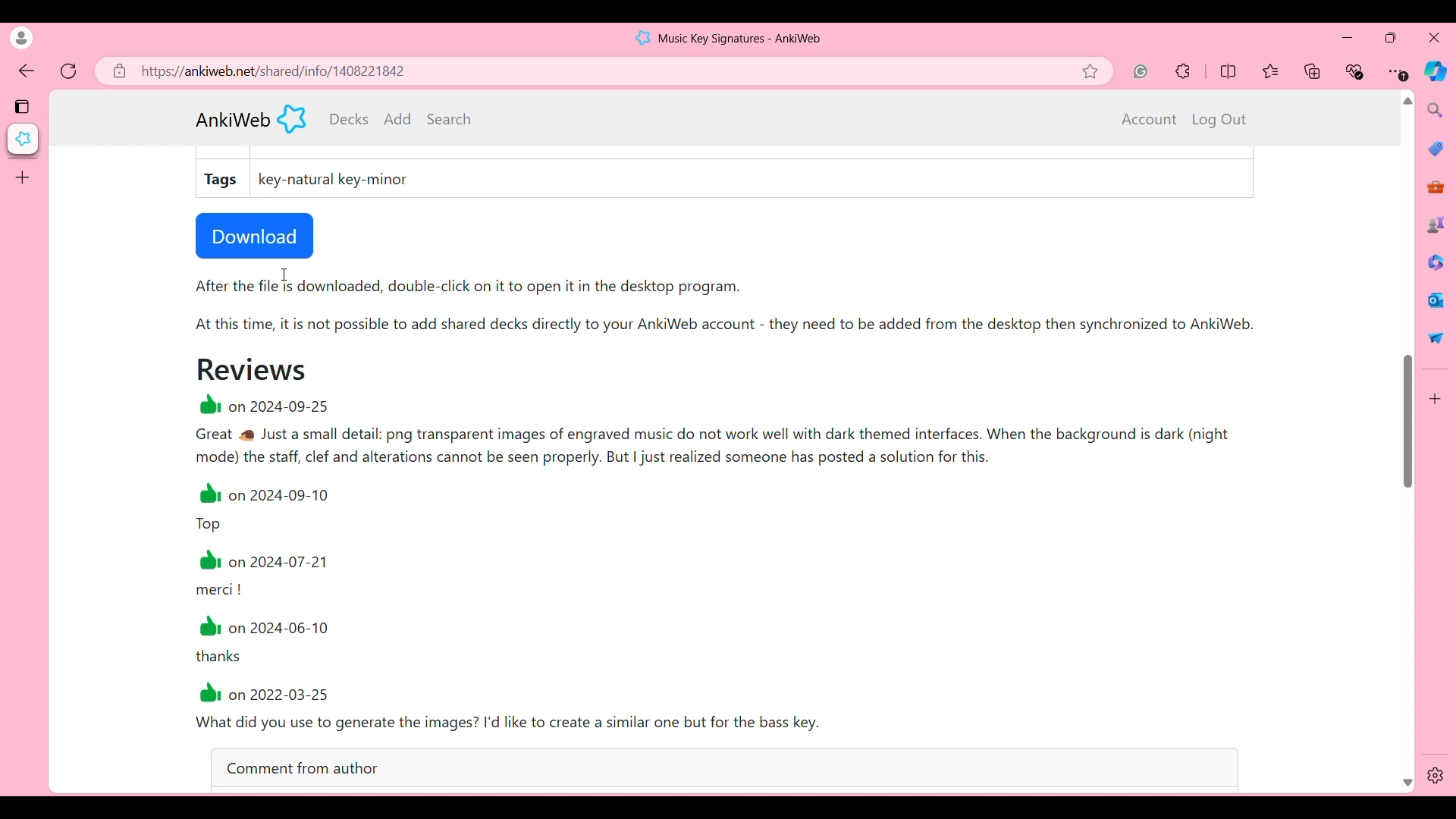 Image resolution: width=1456 pixels, height=819 pixels. What do you see at coordinates (1391, 37) in the screenshot?
I see `Show browser in a smaller tab` at bounding box center [1391, 37].